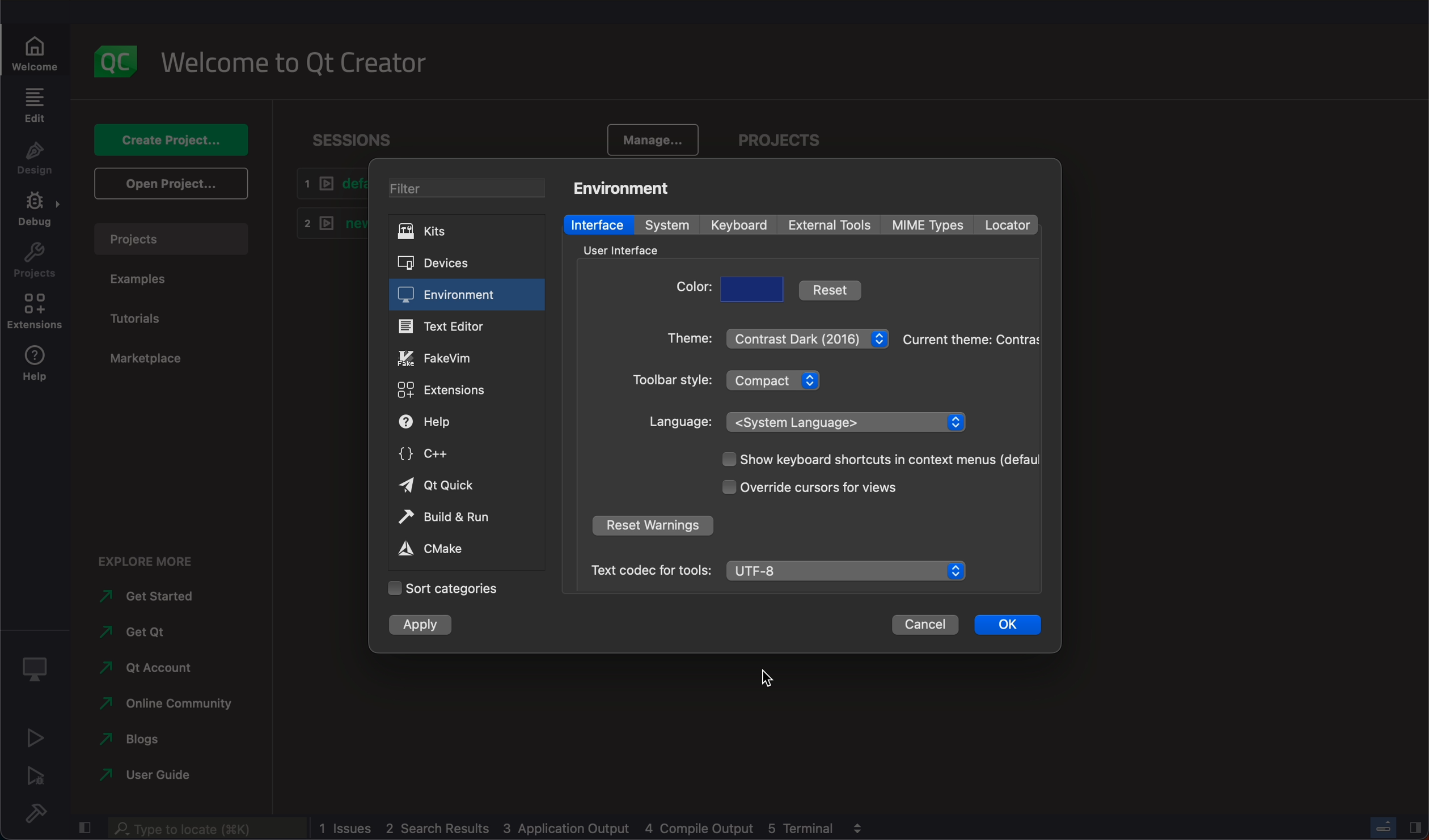 The height and width of the screenshot is (840, 1429). What do you see at coordinates (170, 135) in the screenshot?
I see `create` at bounding box center [170, 135].